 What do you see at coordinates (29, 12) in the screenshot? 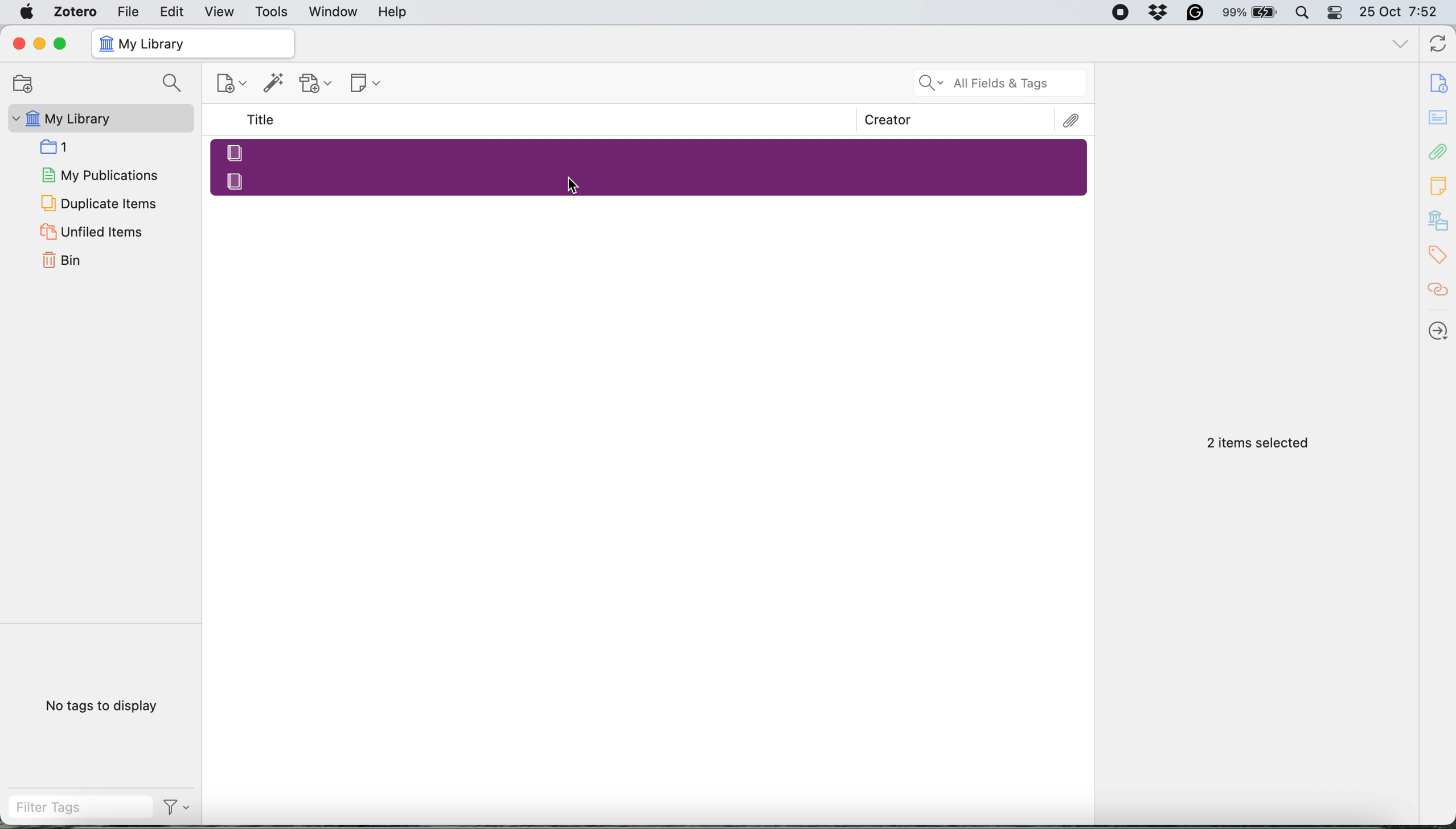
I see `Apple Menu` at bounding box center [29, 12].